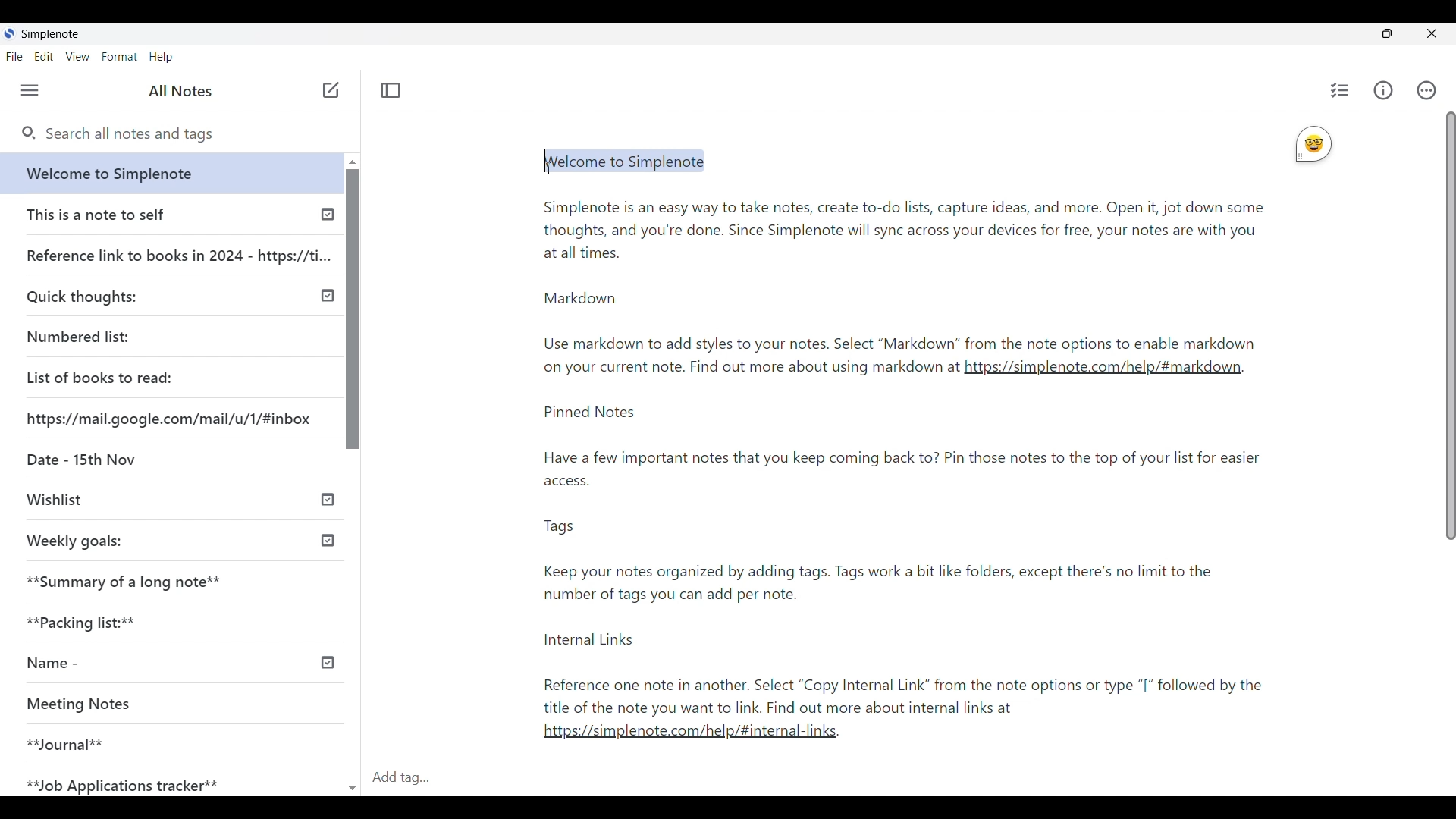  What do you see at coordinates (1387, 33) in the screenshot?
I see `Show interface in smaller tab` at bounding box center [1387, 33].